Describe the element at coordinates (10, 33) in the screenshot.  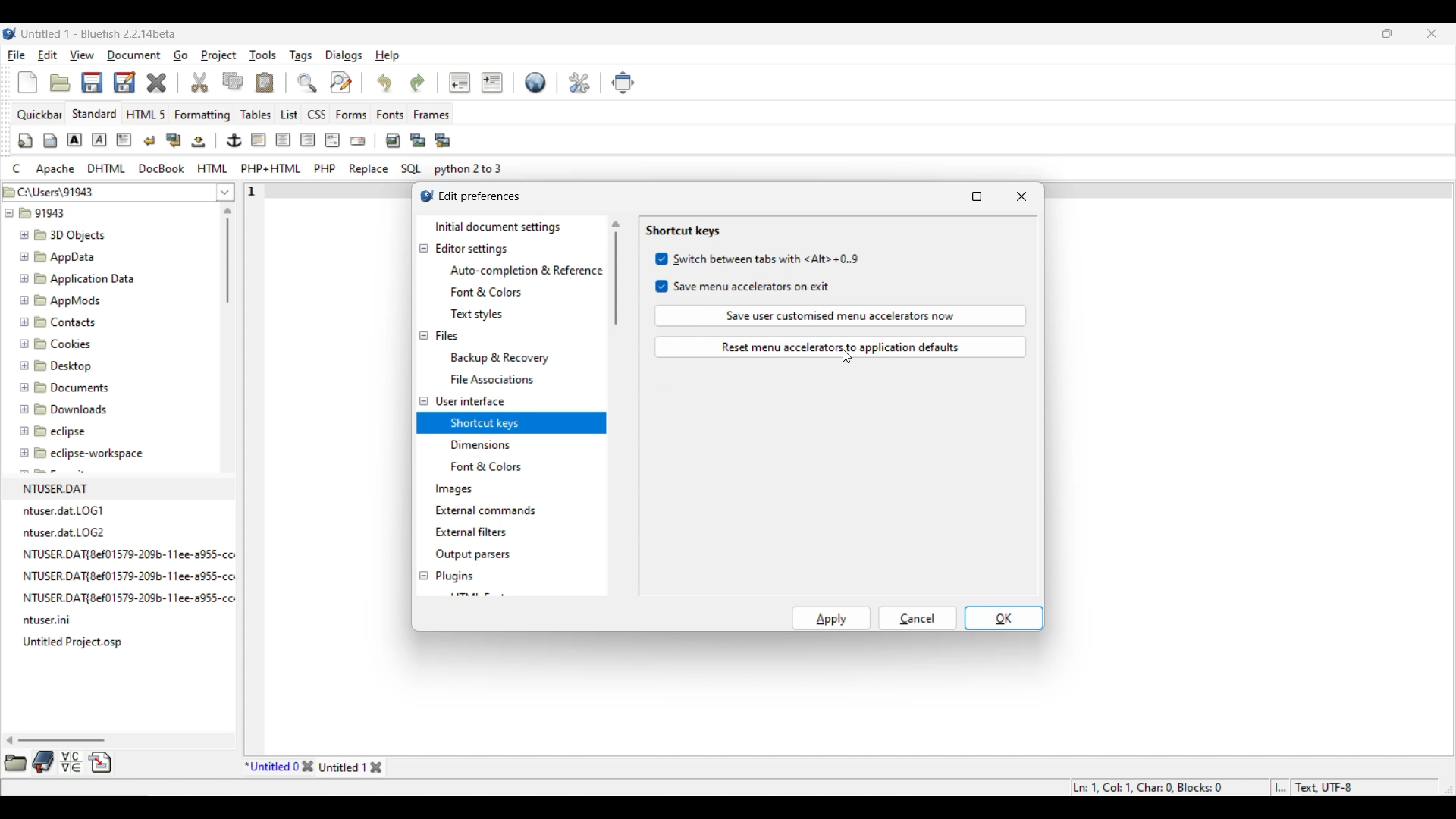
I see `Software logo` at that location.